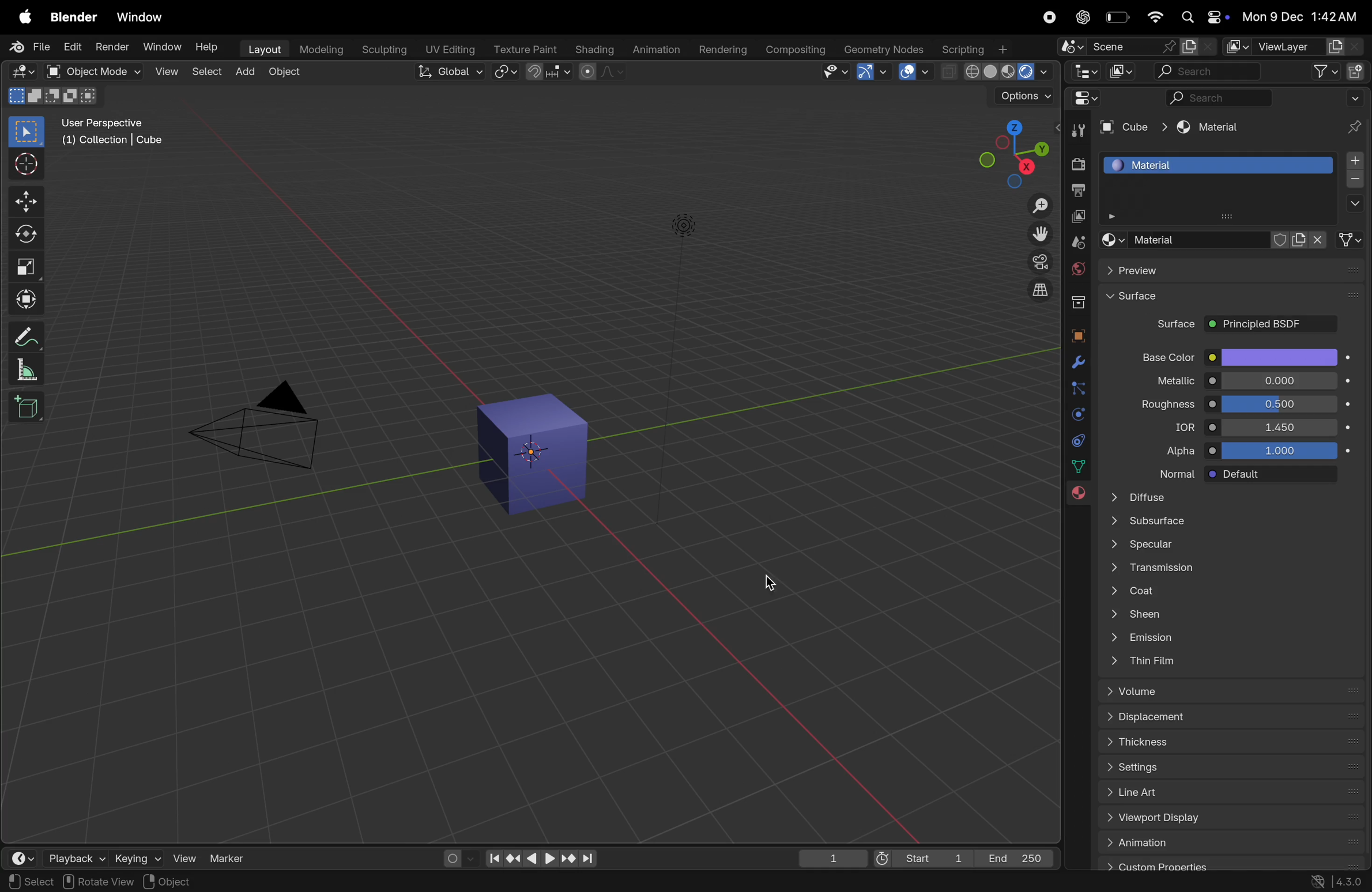 The height and width of the screenshot is (892, 1372). What do you see at coordinates (1270, 325) in the screenshot?
I see `Principled BSDF` at bounding box center [1270, 325].